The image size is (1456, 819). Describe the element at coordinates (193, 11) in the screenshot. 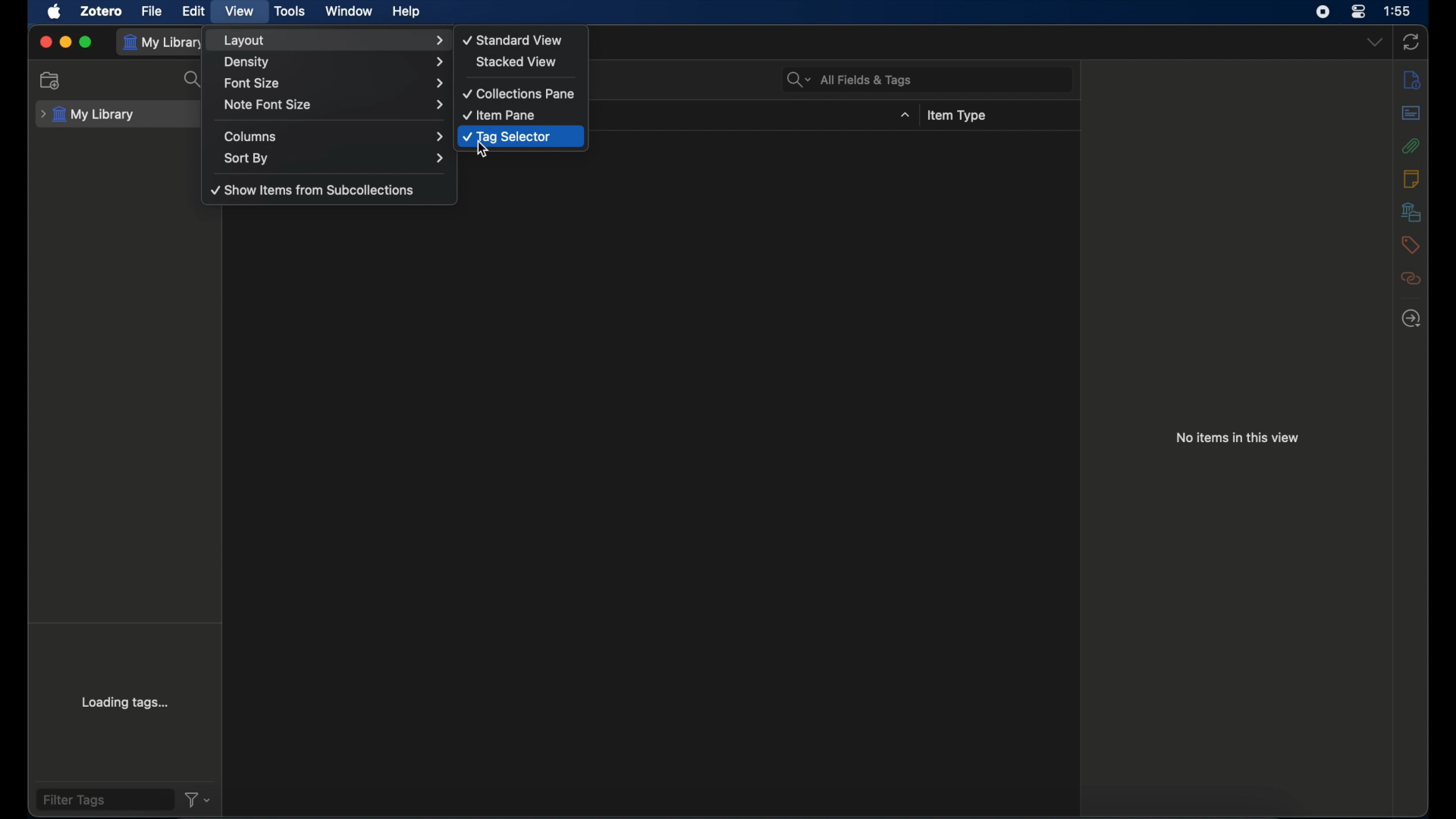

I see `edit` at that location.